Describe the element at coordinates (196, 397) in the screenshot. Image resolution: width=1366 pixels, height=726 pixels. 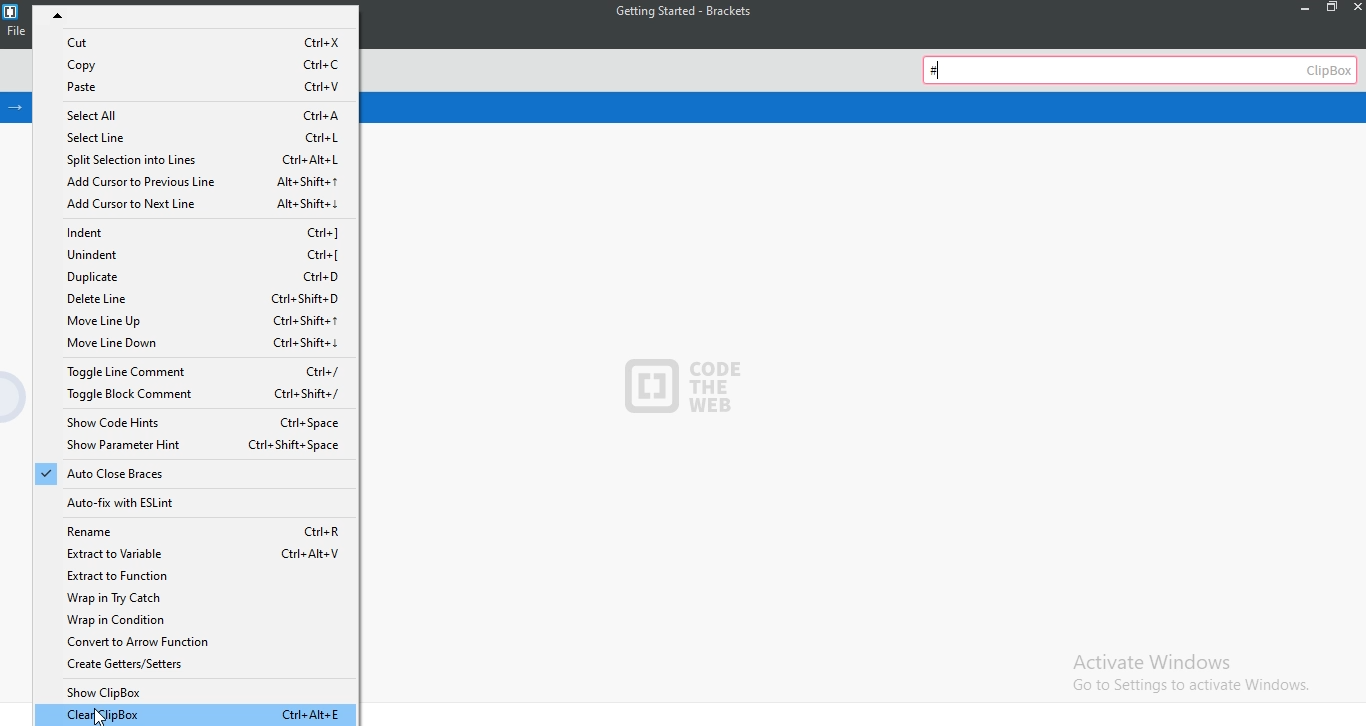
I see `Toggle Block Comment` at that location.